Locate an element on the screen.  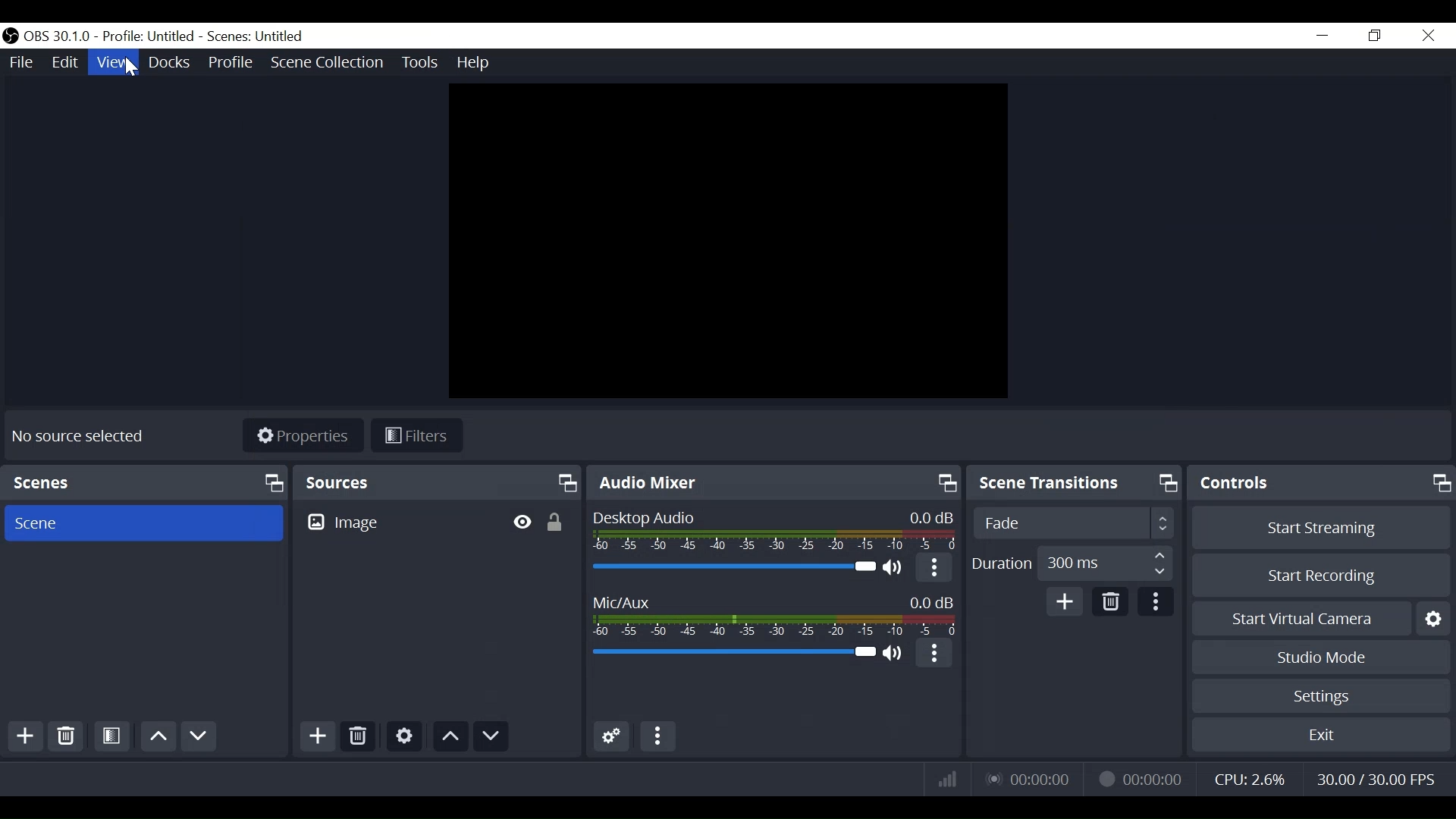
Add  is located at coordinates (1065, 603).